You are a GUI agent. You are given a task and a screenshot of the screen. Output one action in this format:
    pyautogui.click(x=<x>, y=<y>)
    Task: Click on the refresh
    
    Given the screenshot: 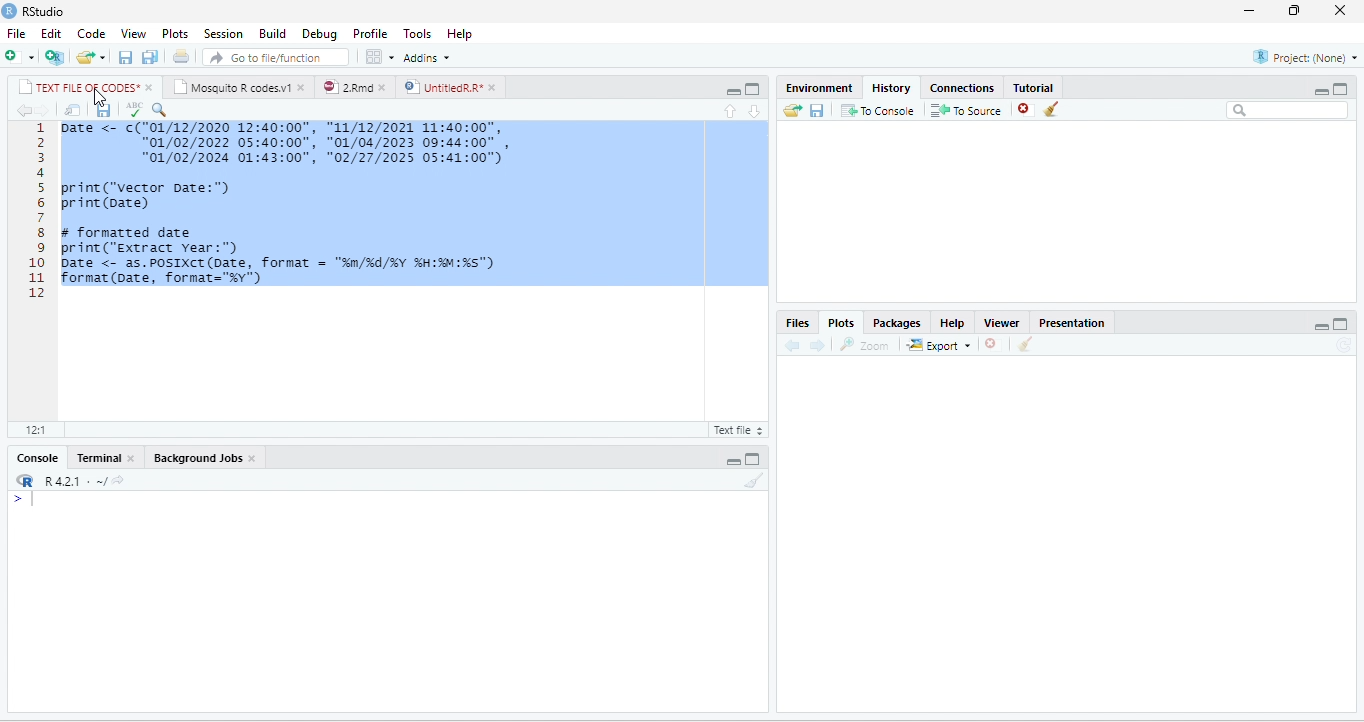 What is the action you would take?
    pyautogui.click(x=1346, y=346)
    